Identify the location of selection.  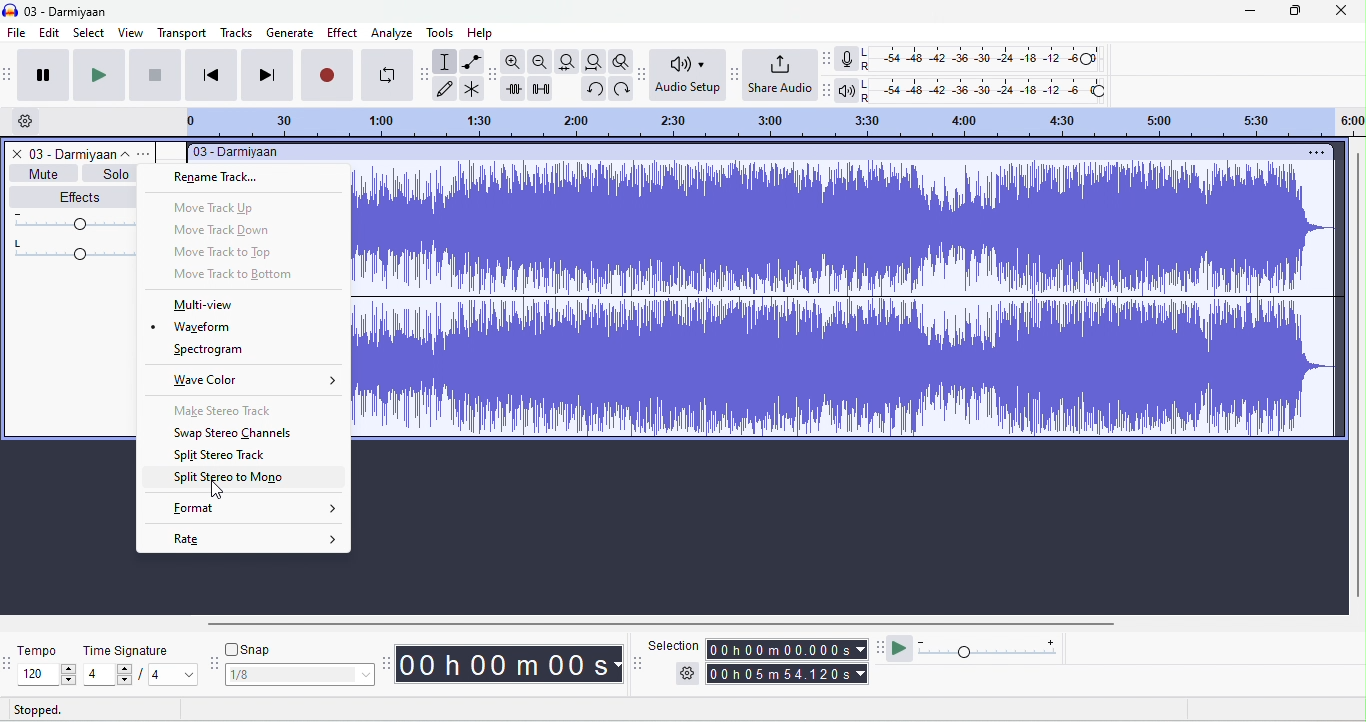
(442, 60).